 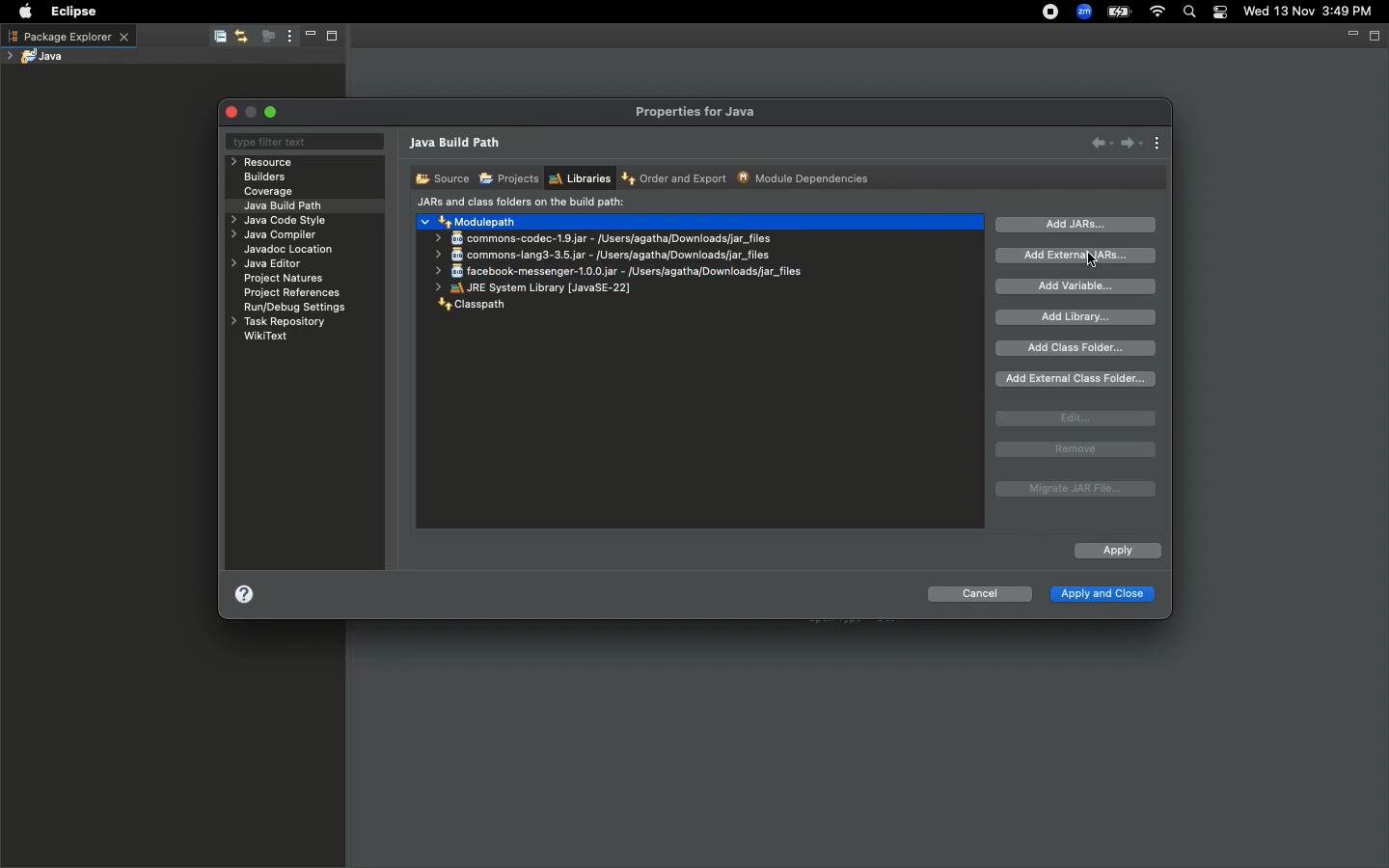 I want to click on Source, so click(x=440, y=177).